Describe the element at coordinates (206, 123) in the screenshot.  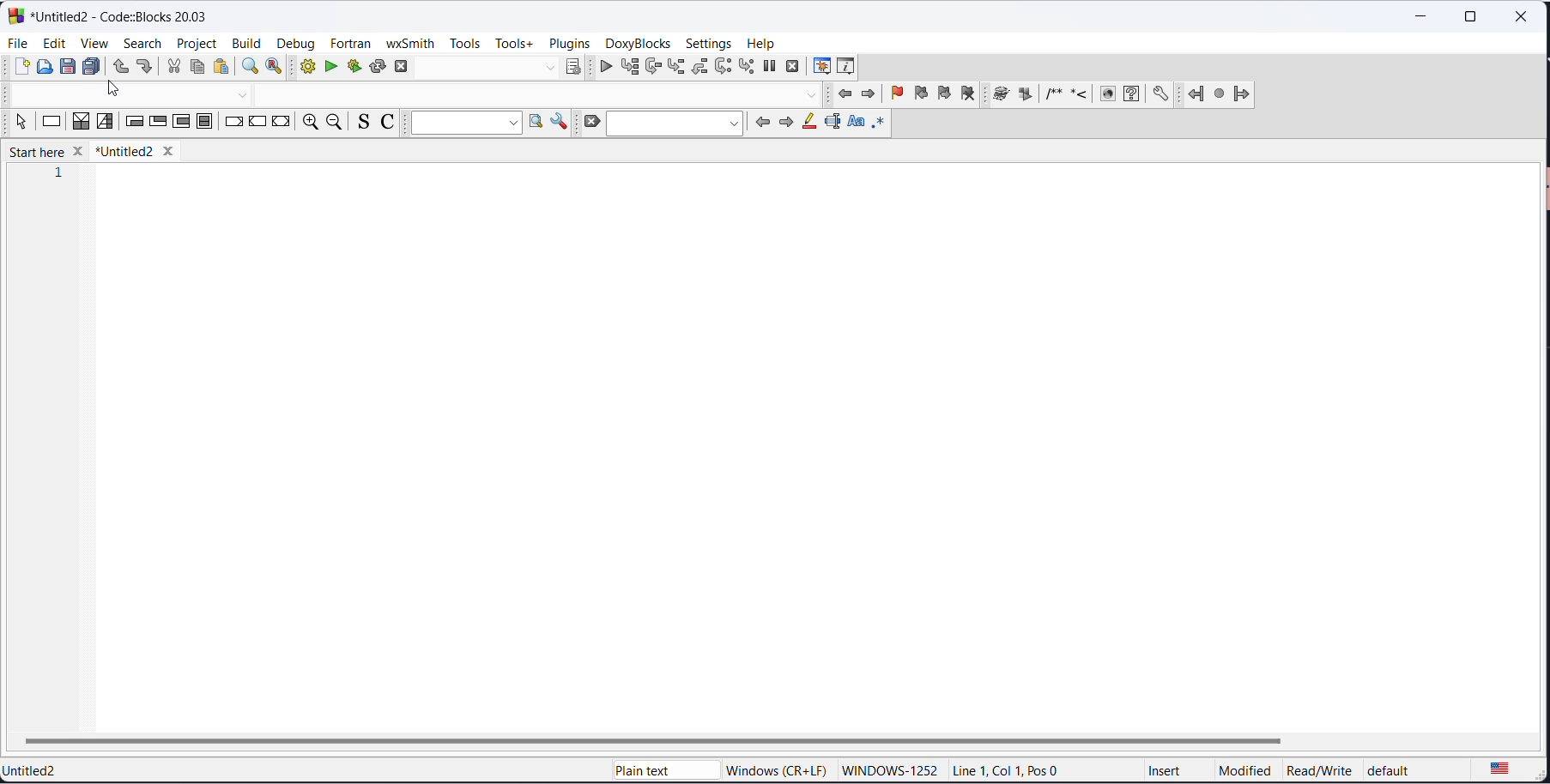
I see `block instruction` at that location.